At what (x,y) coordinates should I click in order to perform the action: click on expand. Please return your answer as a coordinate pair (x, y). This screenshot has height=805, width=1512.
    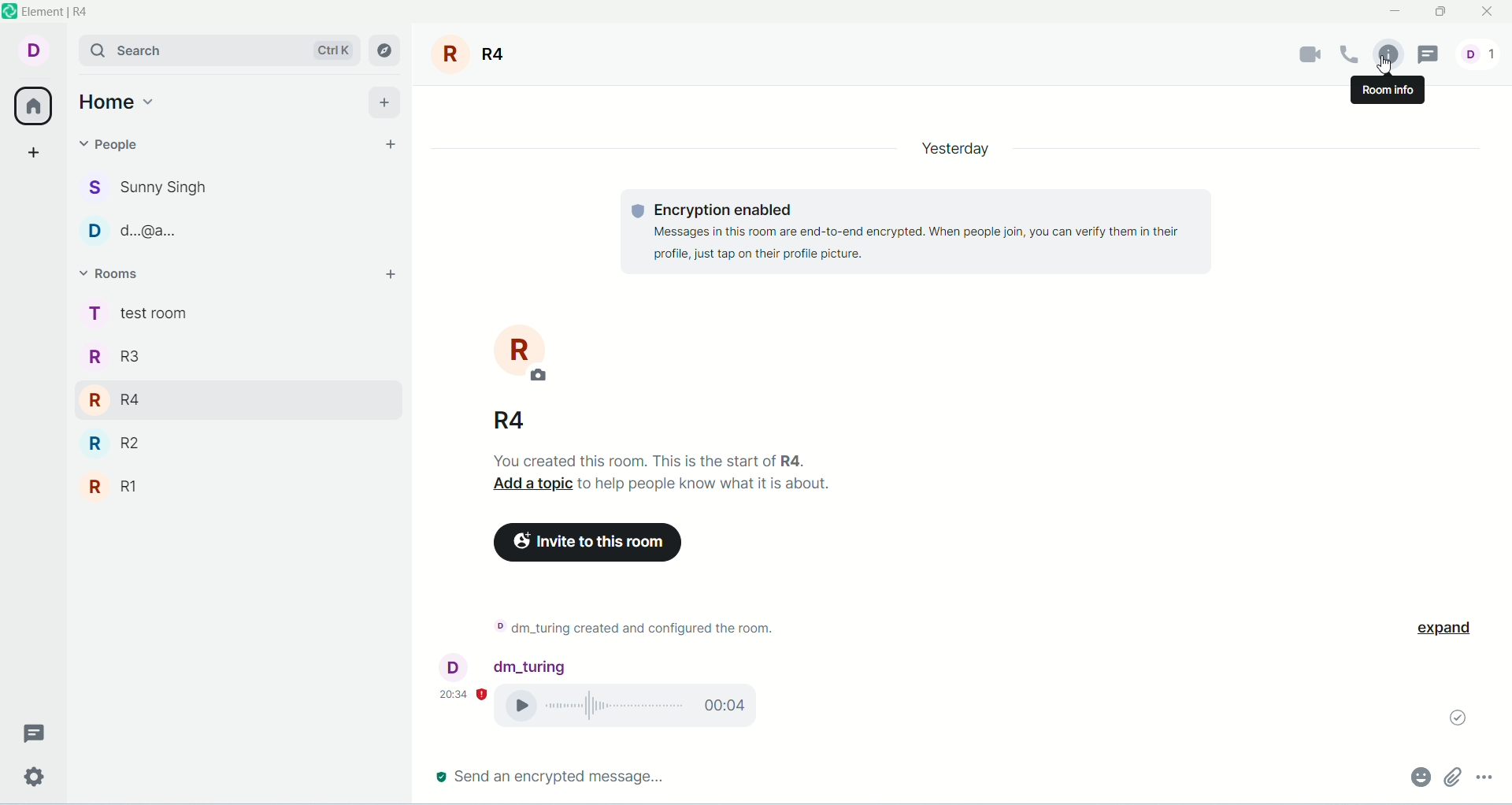
    Looking at the image, I should click on (1444, 629).